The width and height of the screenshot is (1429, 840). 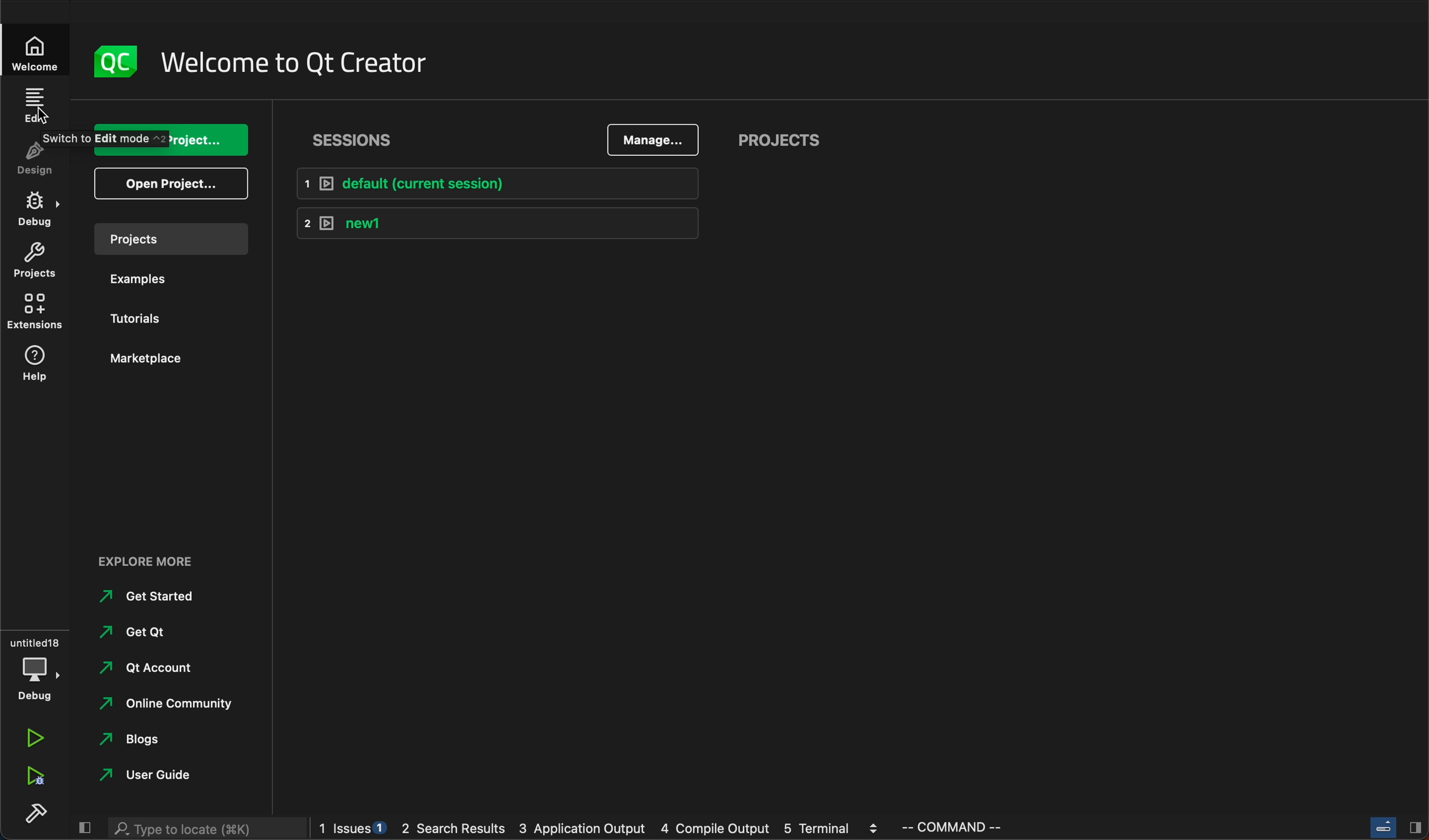 I want to click on explore , so click(x=158, y=561).